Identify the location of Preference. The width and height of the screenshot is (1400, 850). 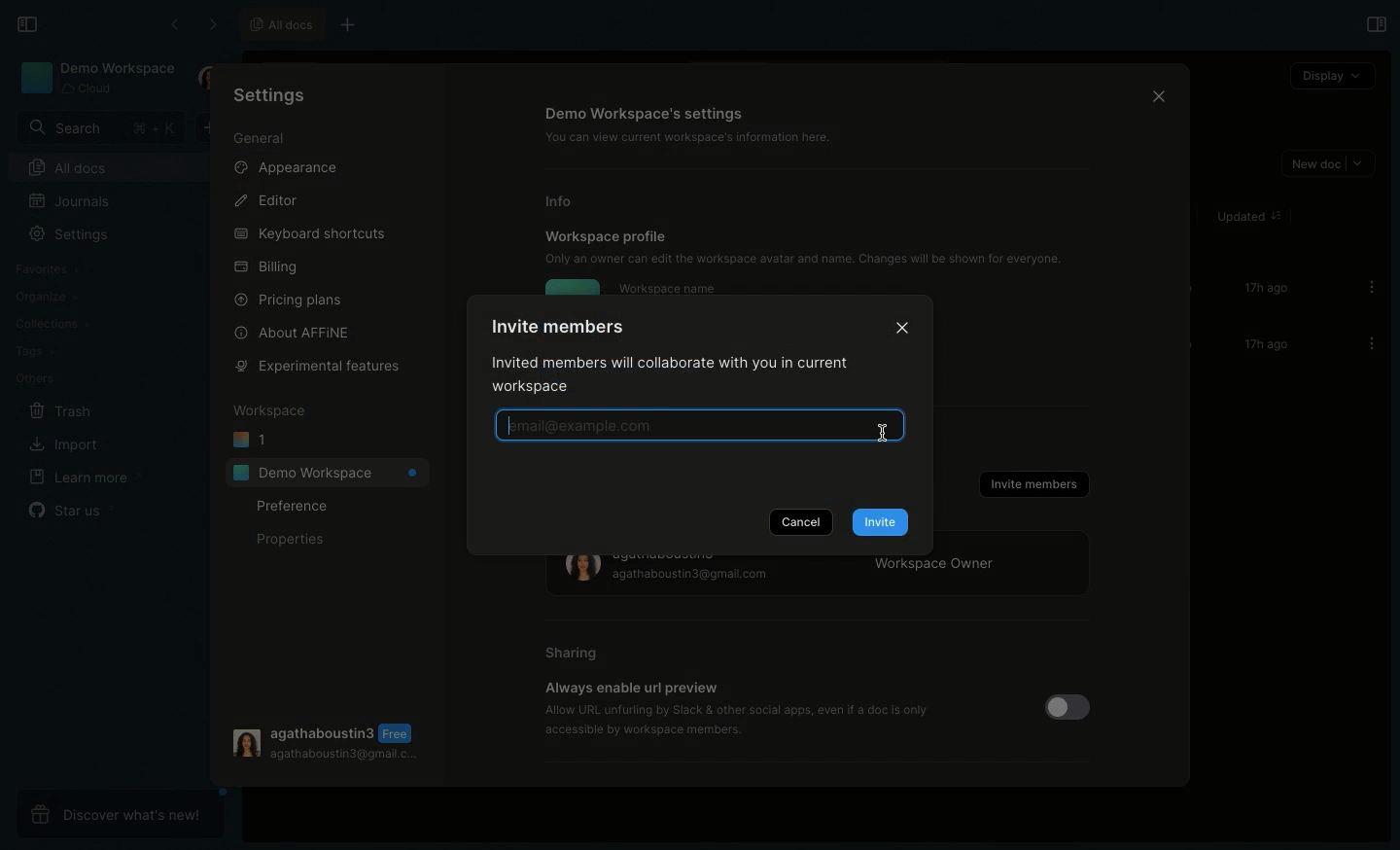
(295, 507).